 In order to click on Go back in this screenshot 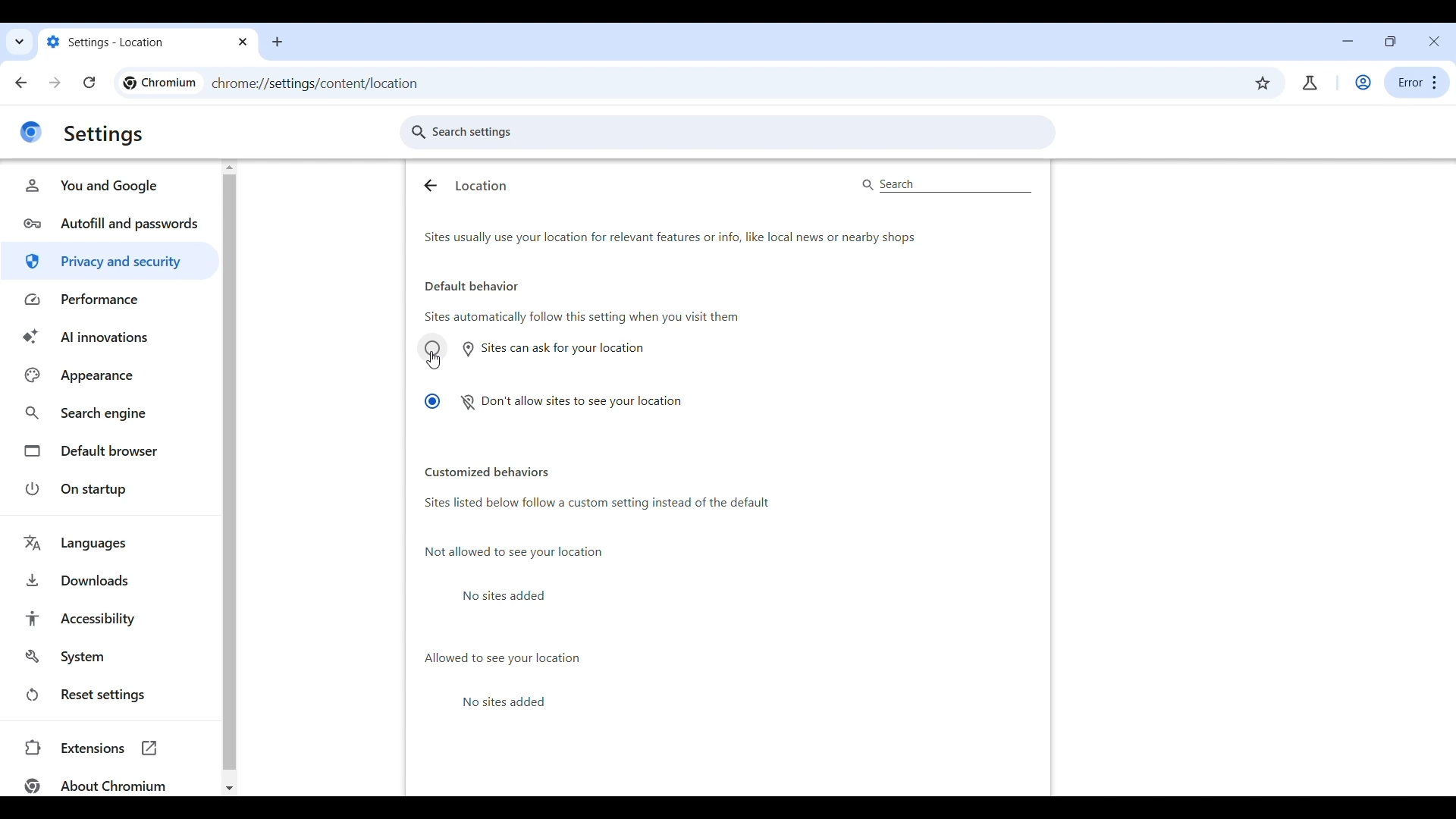, I will do `click(430, 186)`.